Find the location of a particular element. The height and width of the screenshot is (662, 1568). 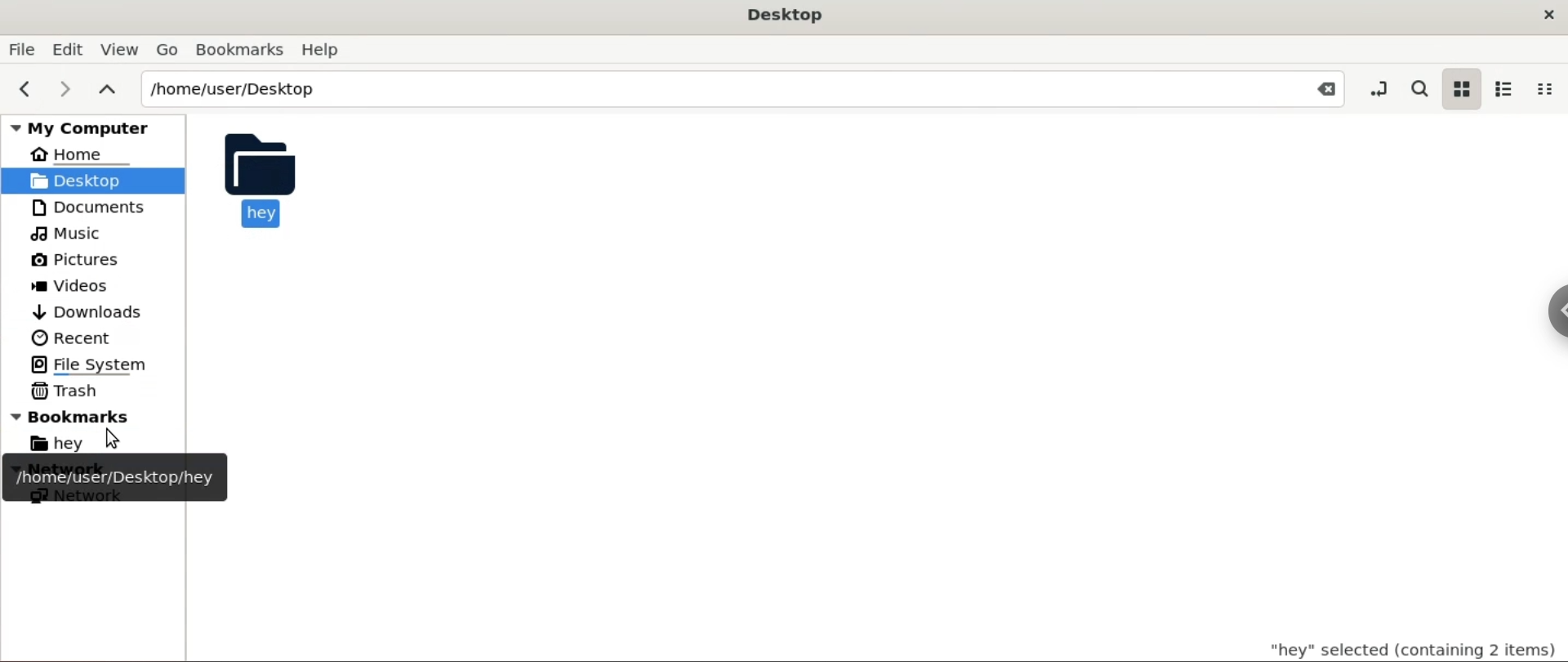

Desktop is located at coordinates (786, 13).